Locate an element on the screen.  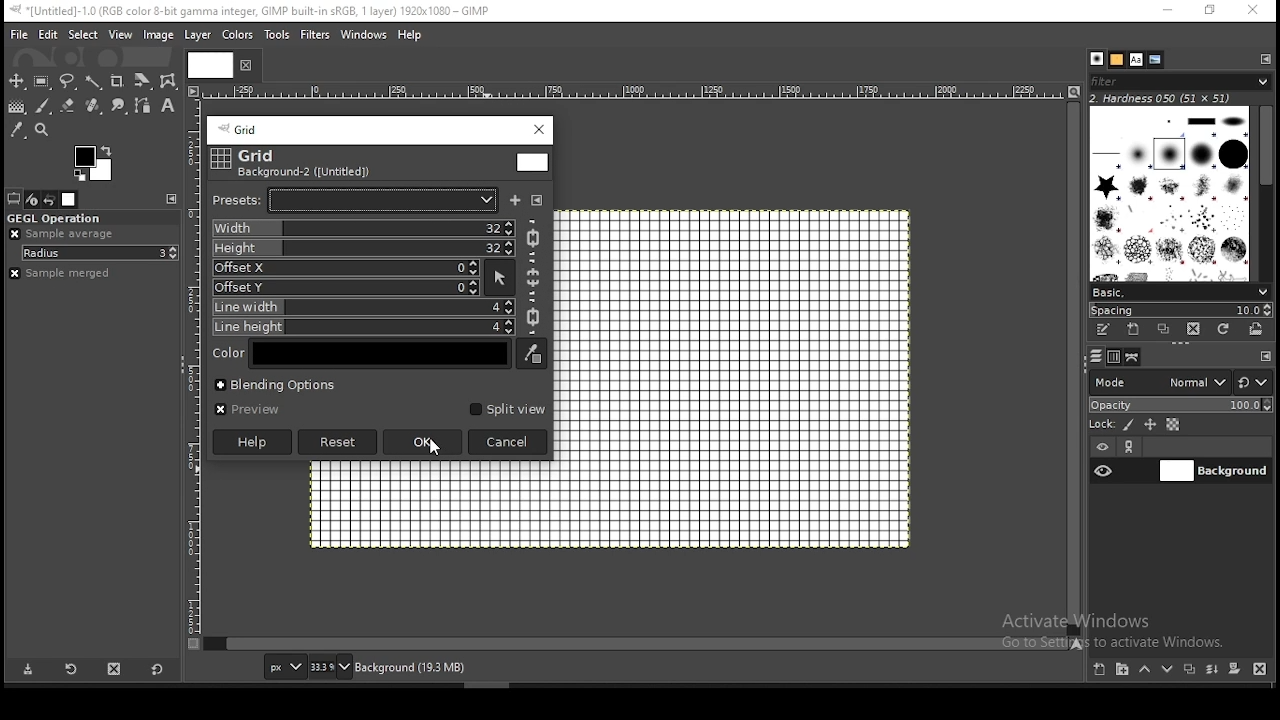
new layer  is located at coordinates (1101, 670).